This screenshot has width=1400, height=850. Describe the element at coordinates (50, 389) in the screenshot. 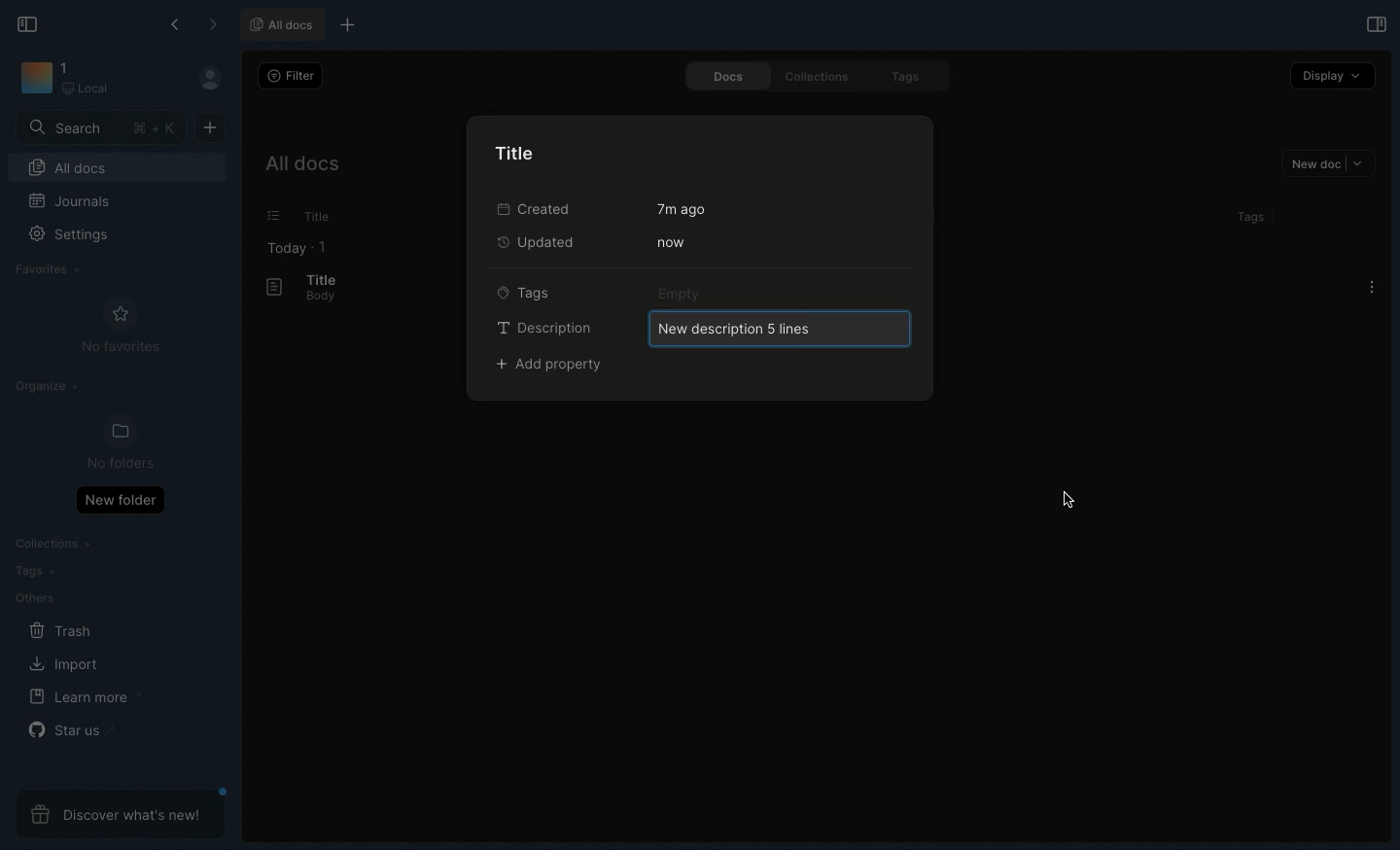

I see `Organize` at that location.